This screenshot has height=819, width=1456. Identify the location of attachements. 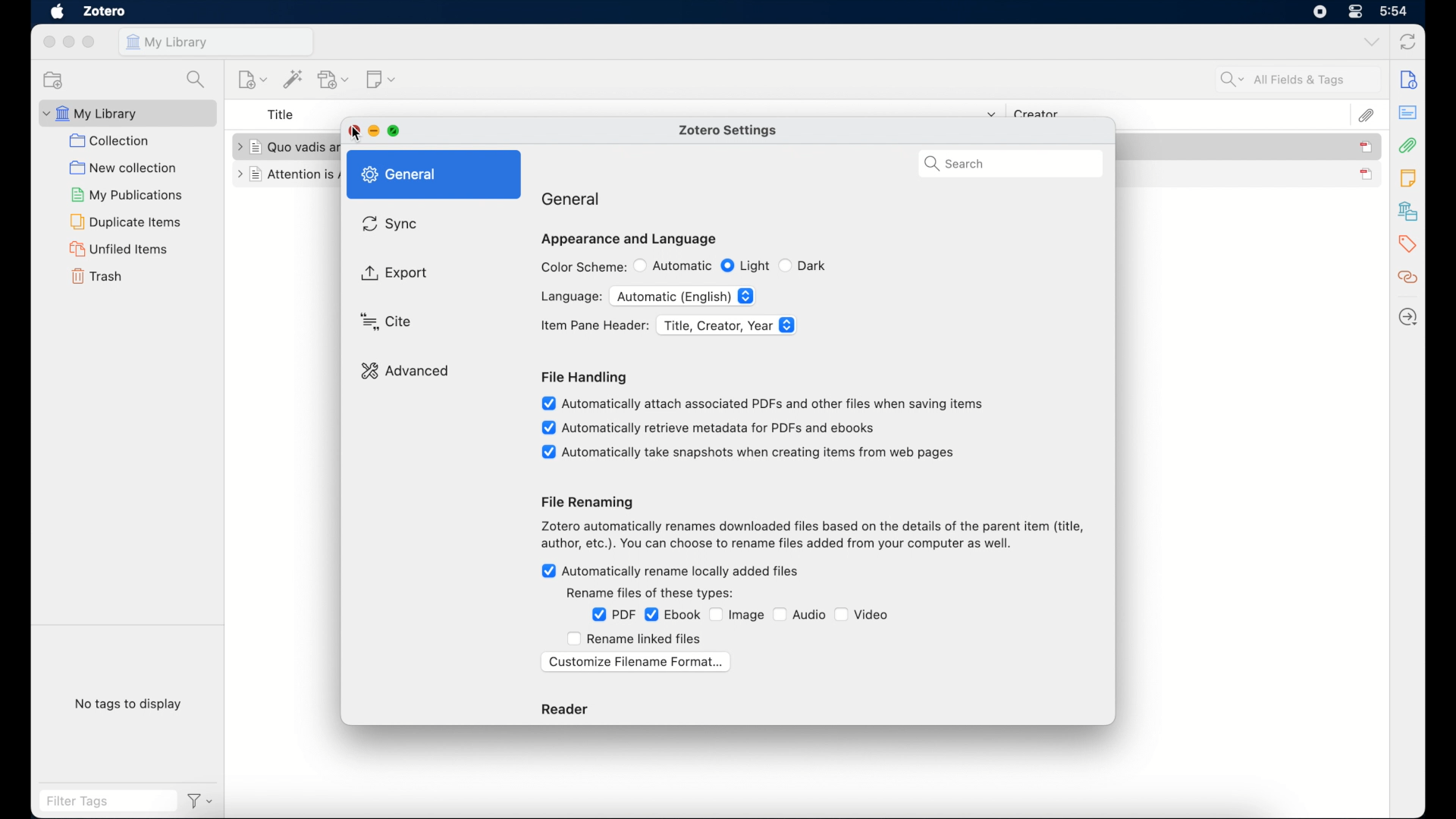
(1366, 115).